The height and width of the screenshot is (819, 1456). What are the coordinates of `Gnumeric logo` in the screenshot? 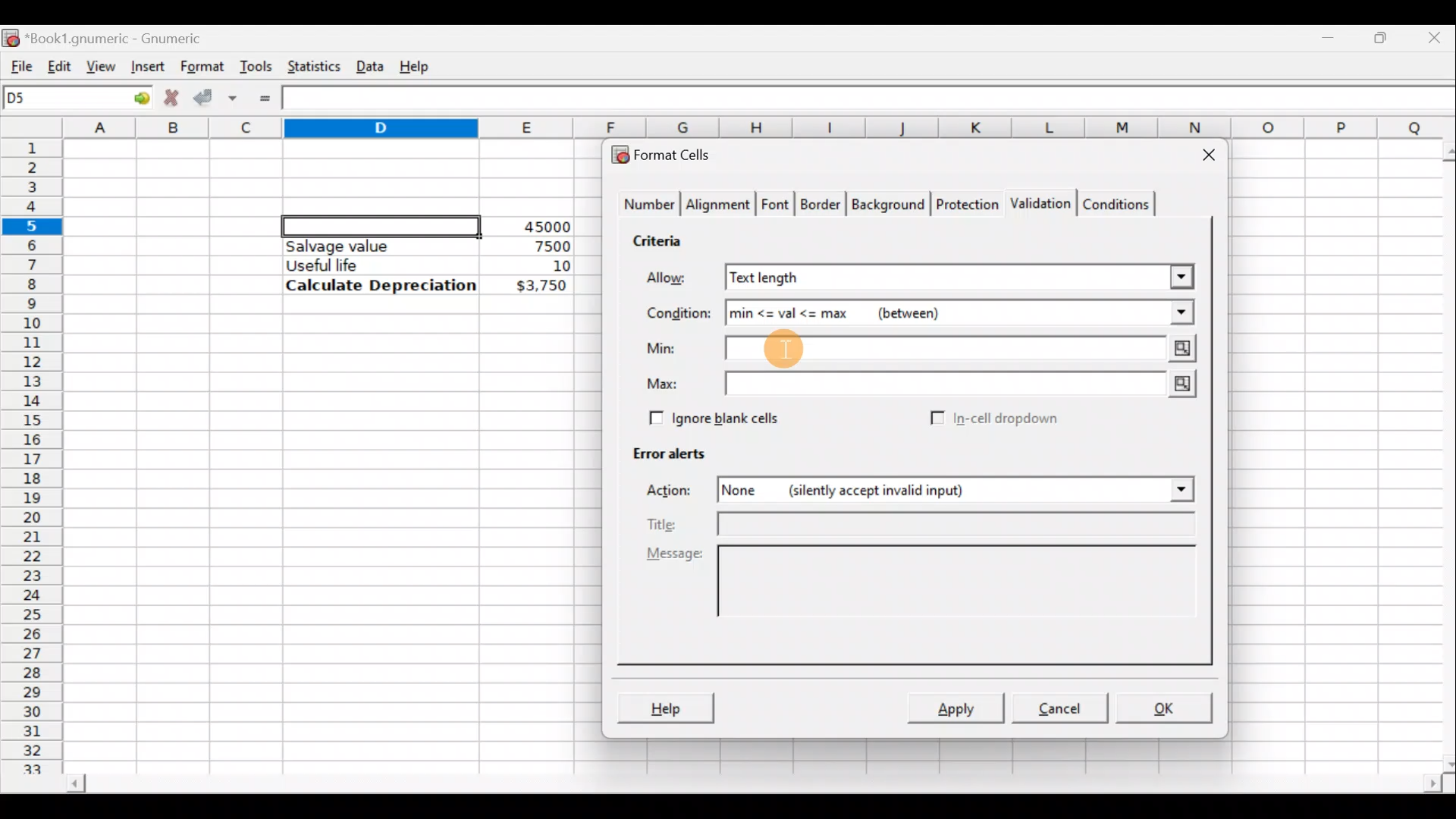 It's located at (11, 36).